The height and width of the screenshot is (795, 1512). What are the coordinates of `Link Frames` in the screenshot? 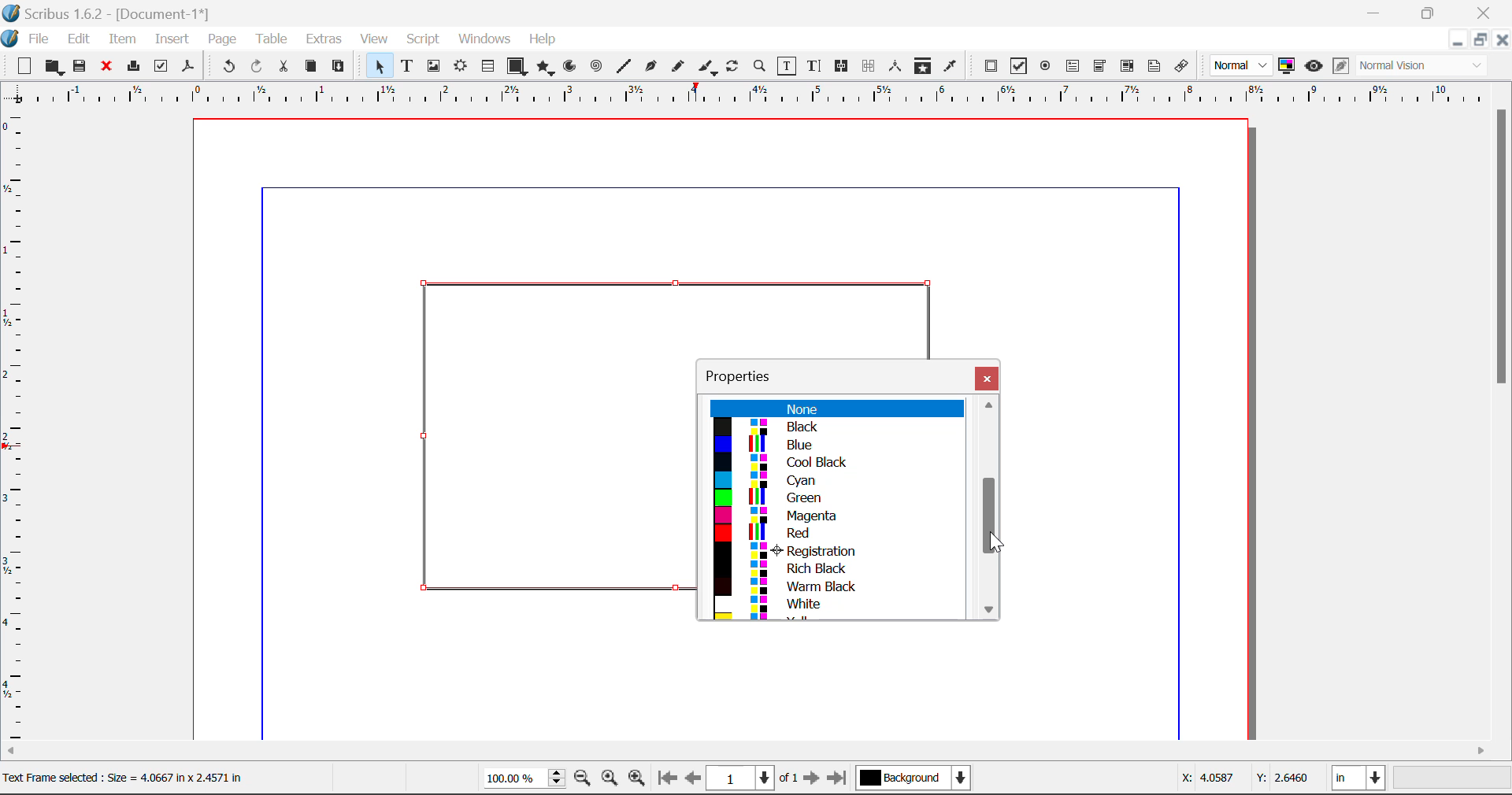 It's located at (842, 66).